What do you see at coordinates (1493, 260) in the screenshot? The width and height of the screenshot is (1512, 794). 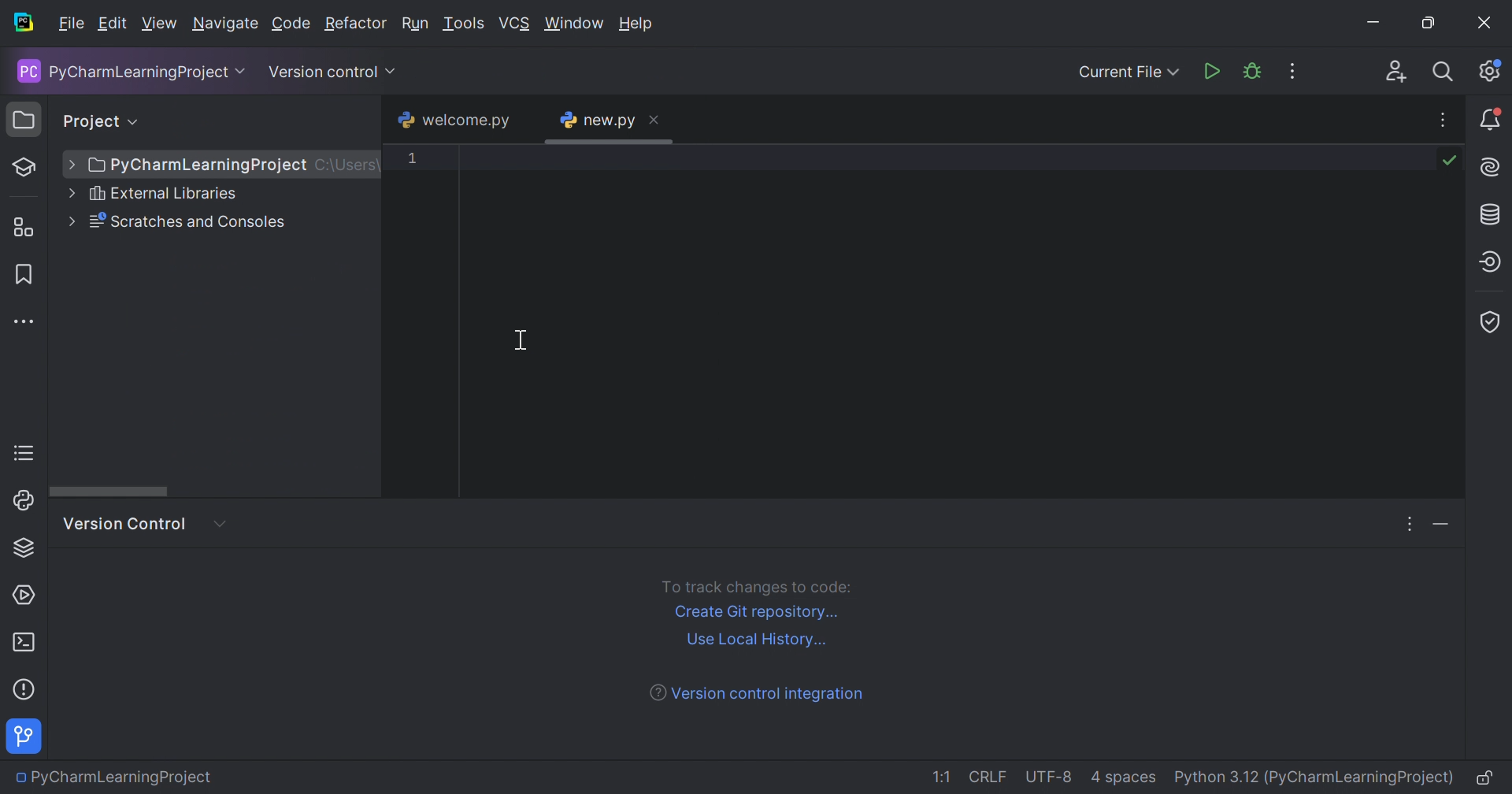 I see `Endpoints` at bounding box center [1493, 260].